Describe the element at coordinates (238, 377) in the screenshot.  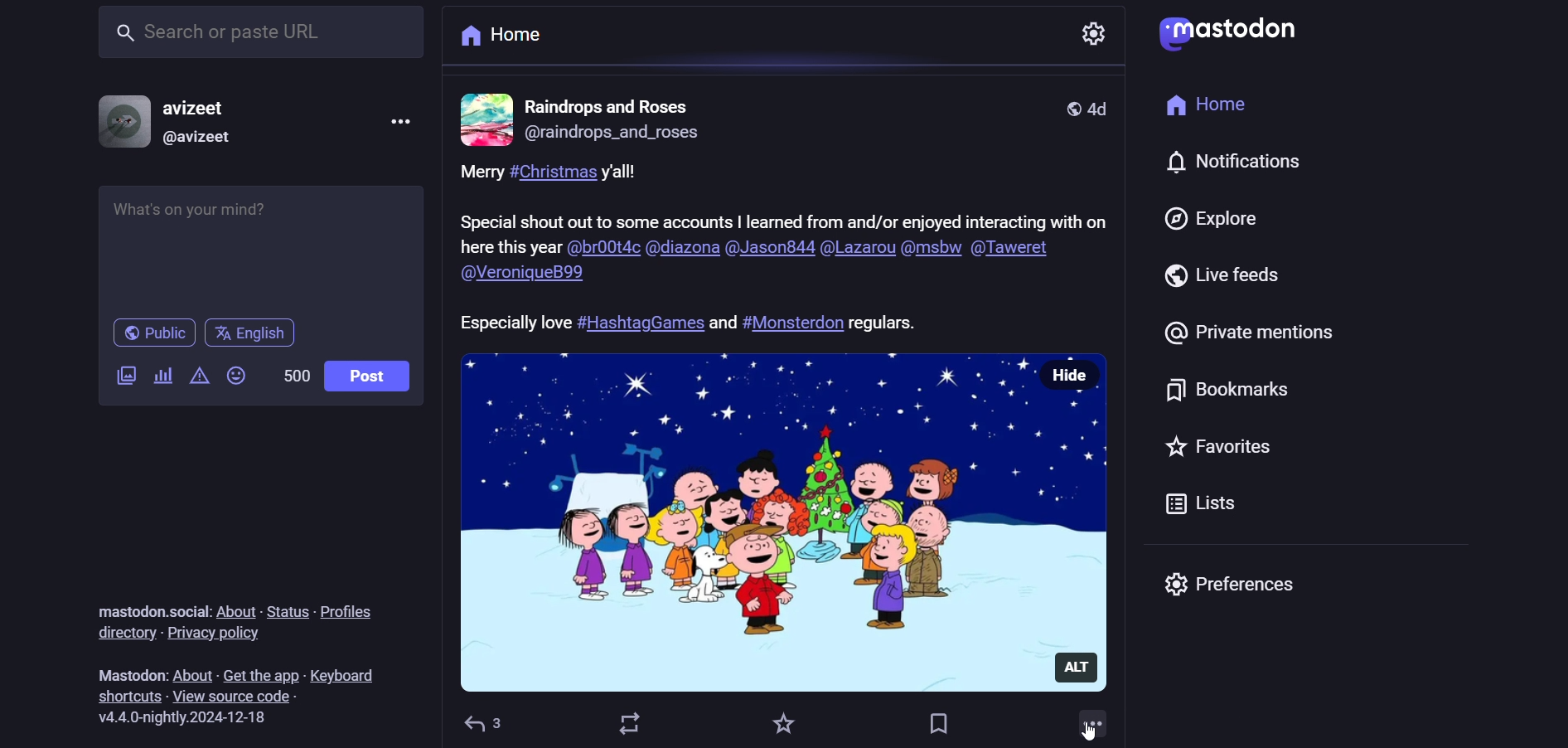
I see `emojis` at that location.